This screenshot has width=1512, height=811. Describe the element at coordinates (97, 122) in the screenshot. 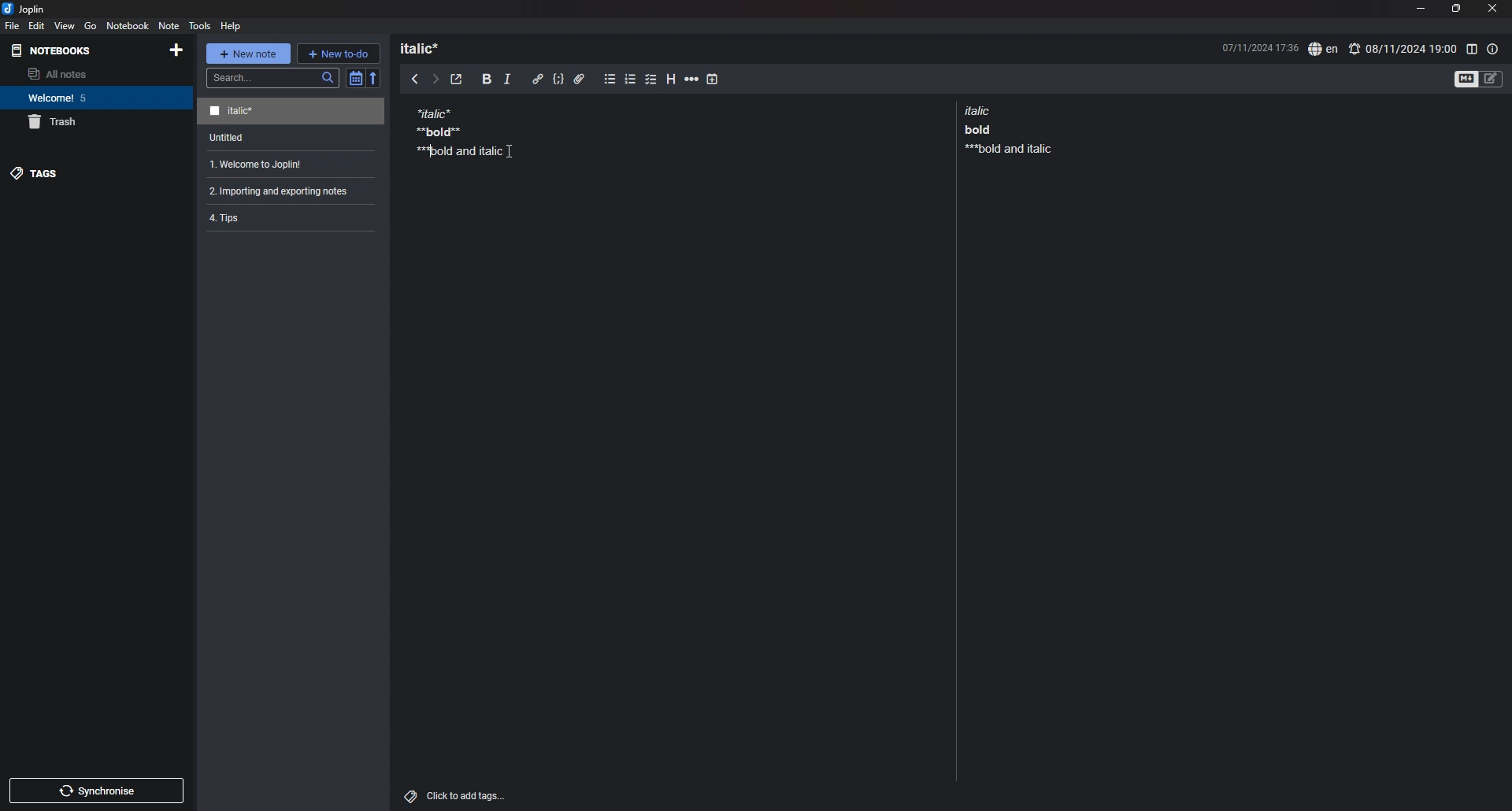

I see `trash` at that location.